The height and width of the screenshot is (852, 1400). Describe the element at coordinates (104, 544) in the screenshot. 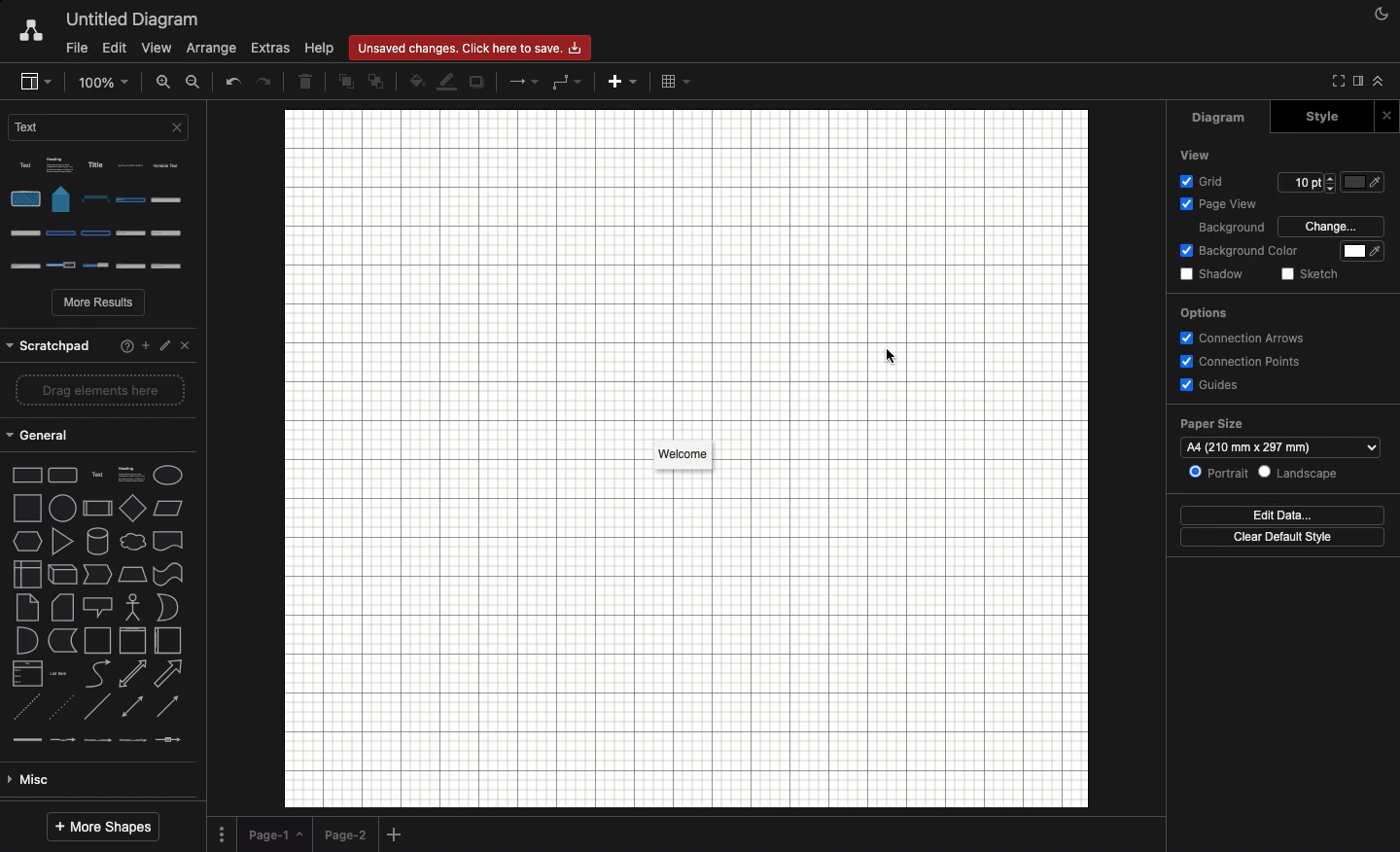

I see `type of arrow` at that location.